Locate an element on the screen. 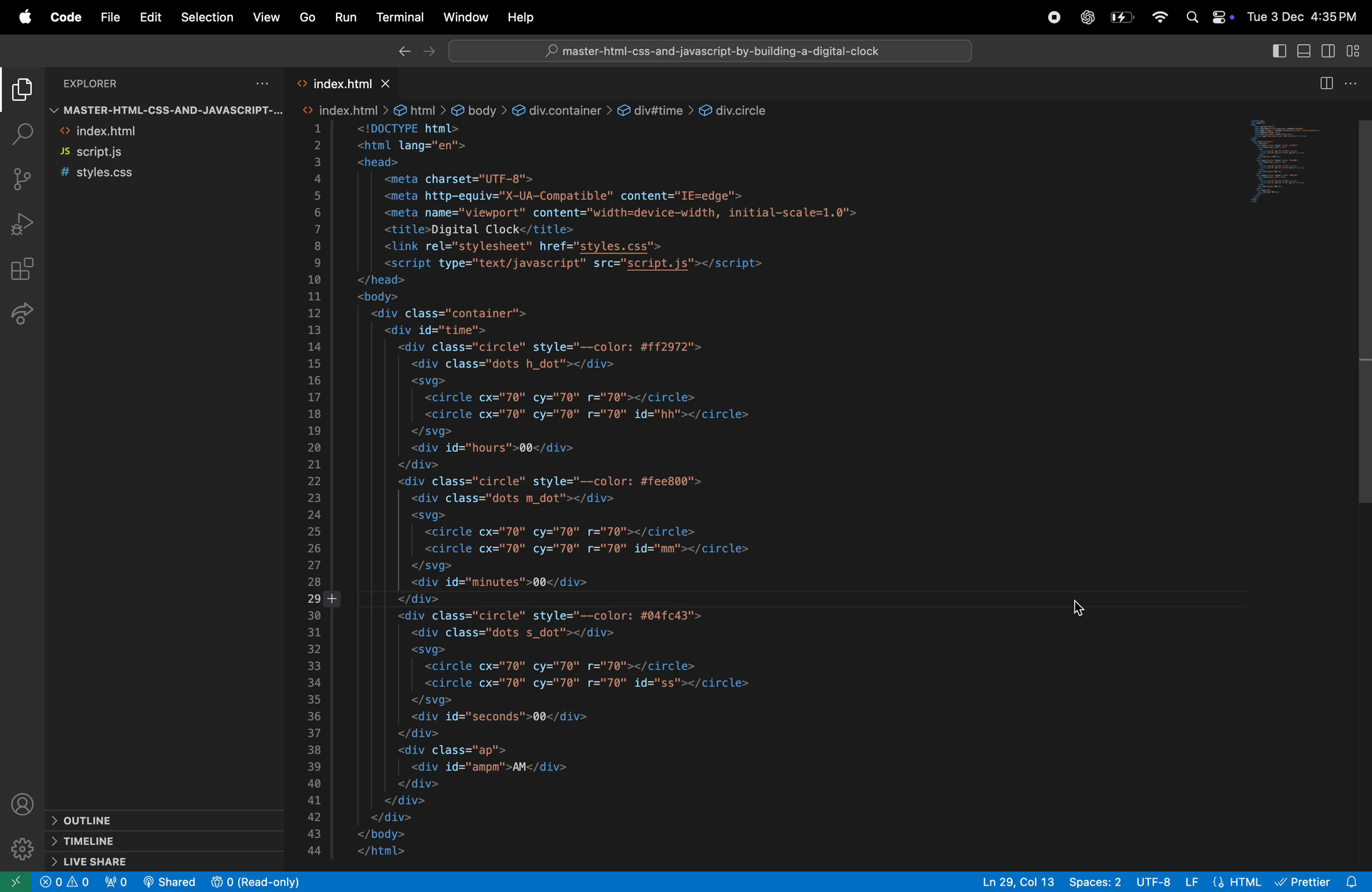 This screenshot has width=1372, height=892. utf 8 is located at coordinates (1144, 881).